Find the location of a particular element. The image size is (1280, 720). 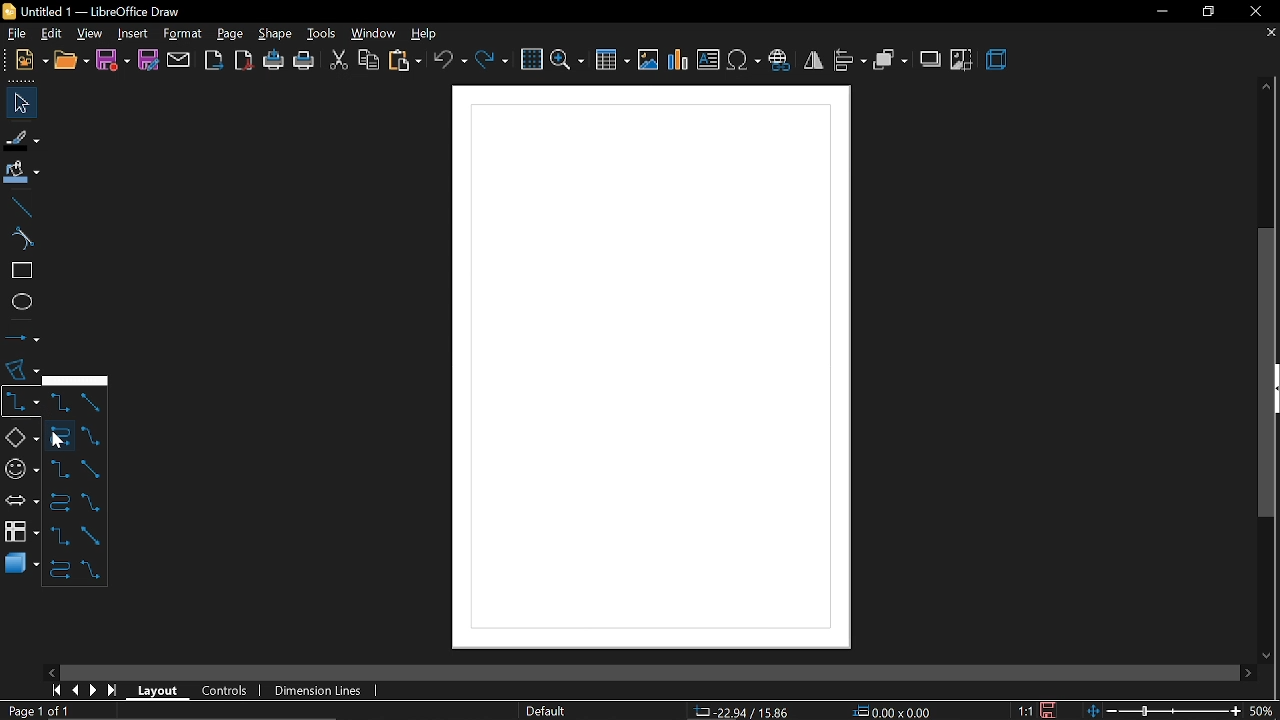

align is located at coordinates (850, 62).